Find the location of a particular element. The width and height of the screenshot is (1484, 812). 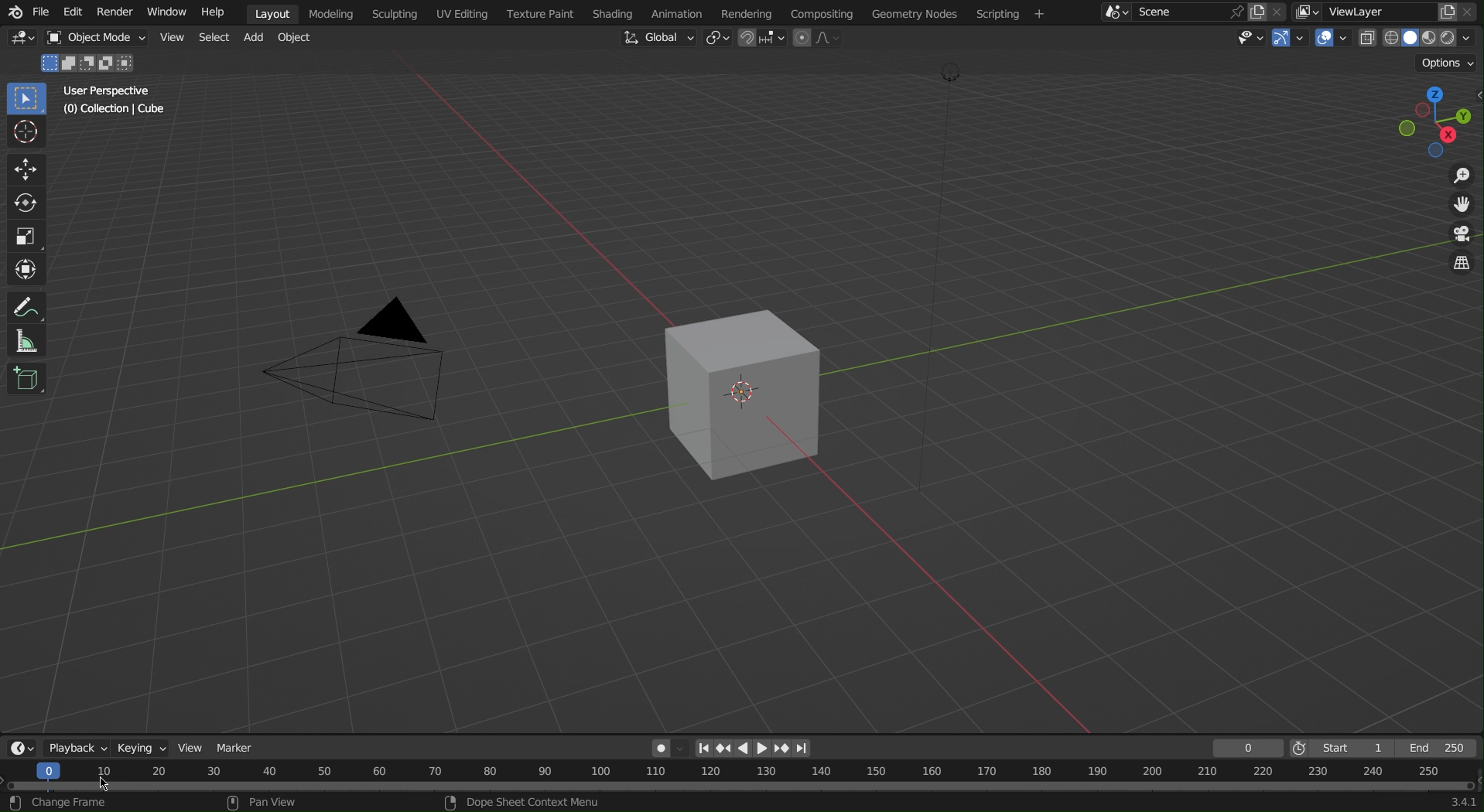

pin is located at coordinates (1234, 12).